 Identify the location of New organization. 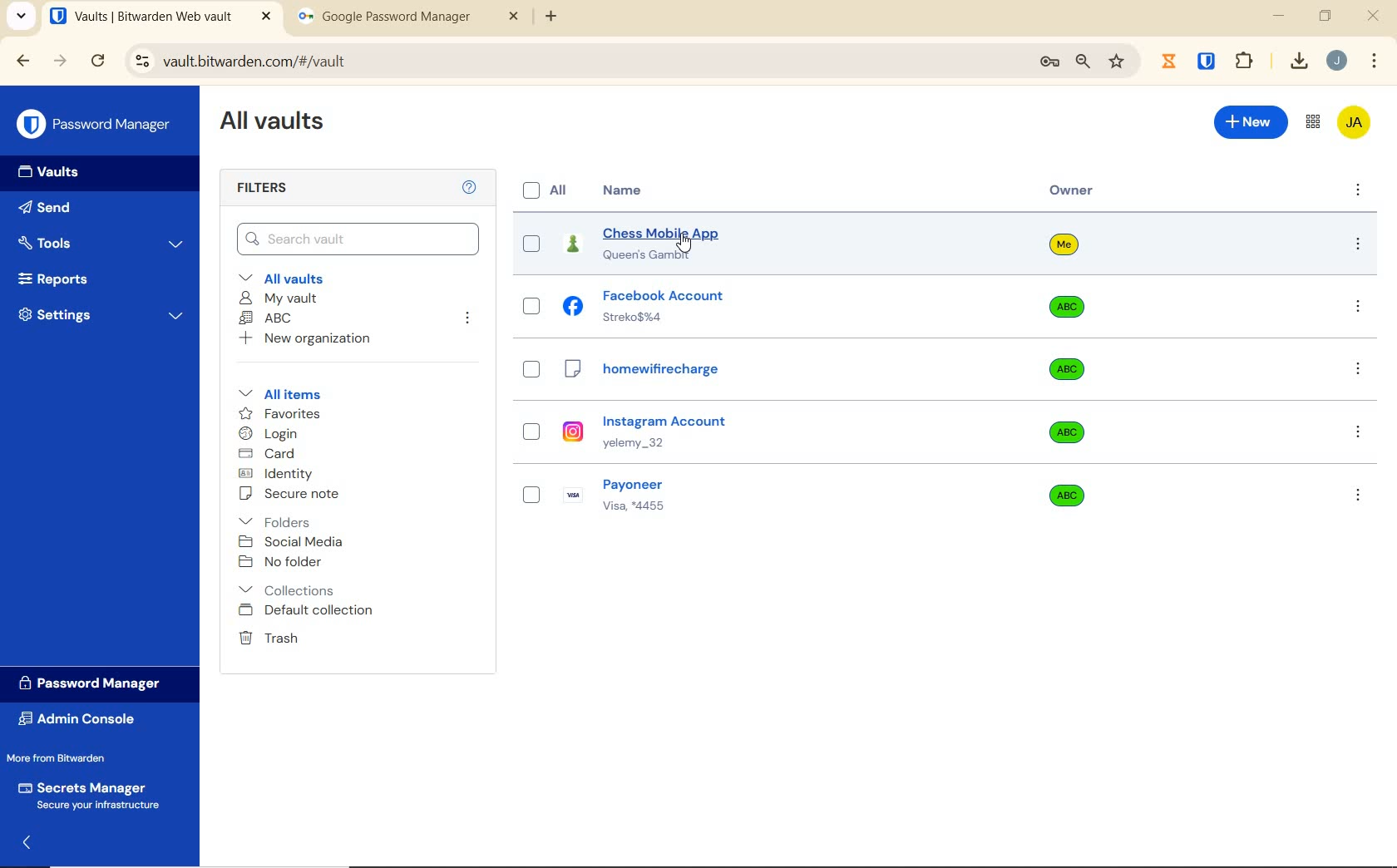
(307, 341).